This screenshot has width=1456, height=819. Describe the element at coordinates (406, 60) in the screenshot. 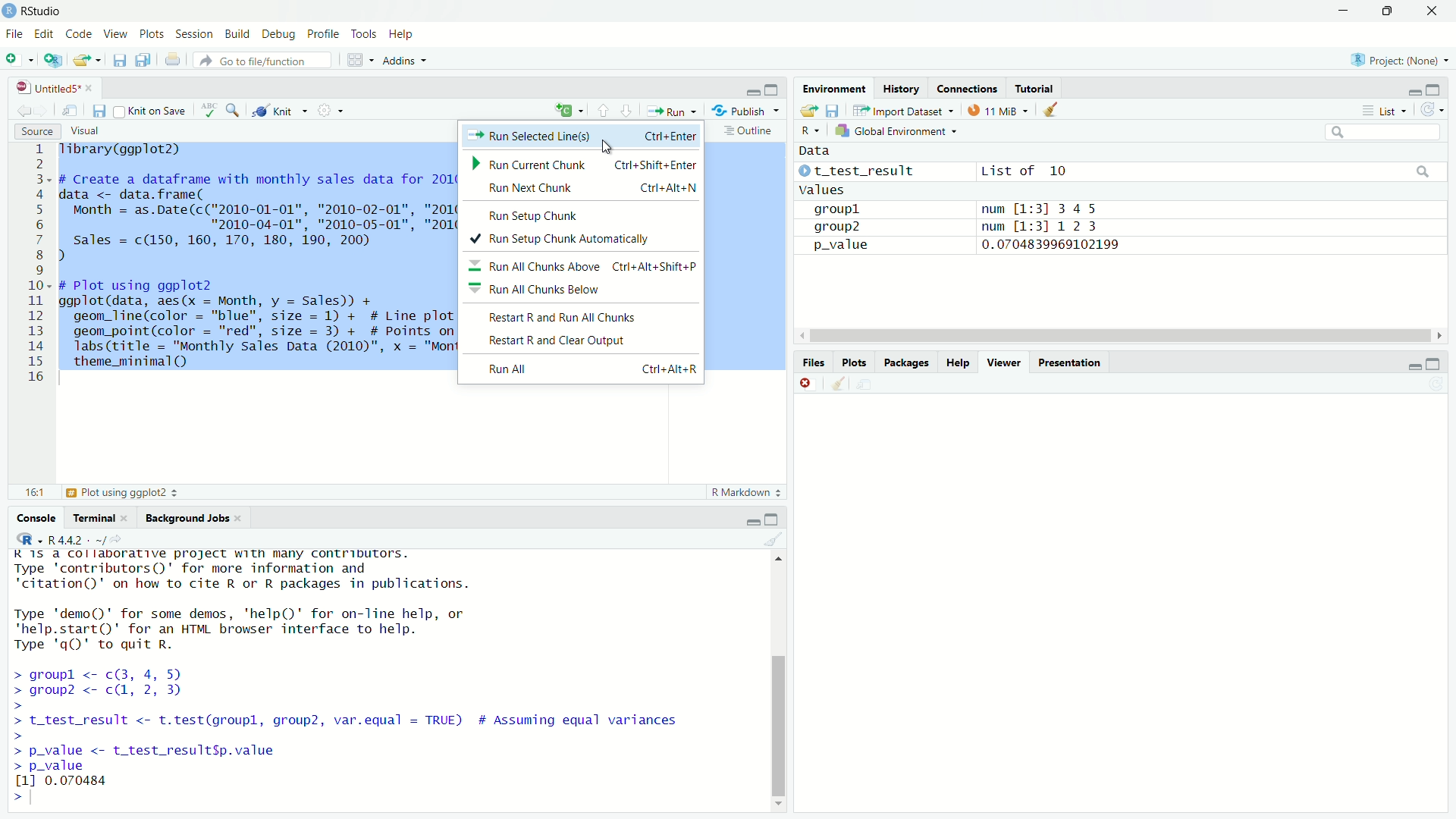

I see `Addins ~` at that location.